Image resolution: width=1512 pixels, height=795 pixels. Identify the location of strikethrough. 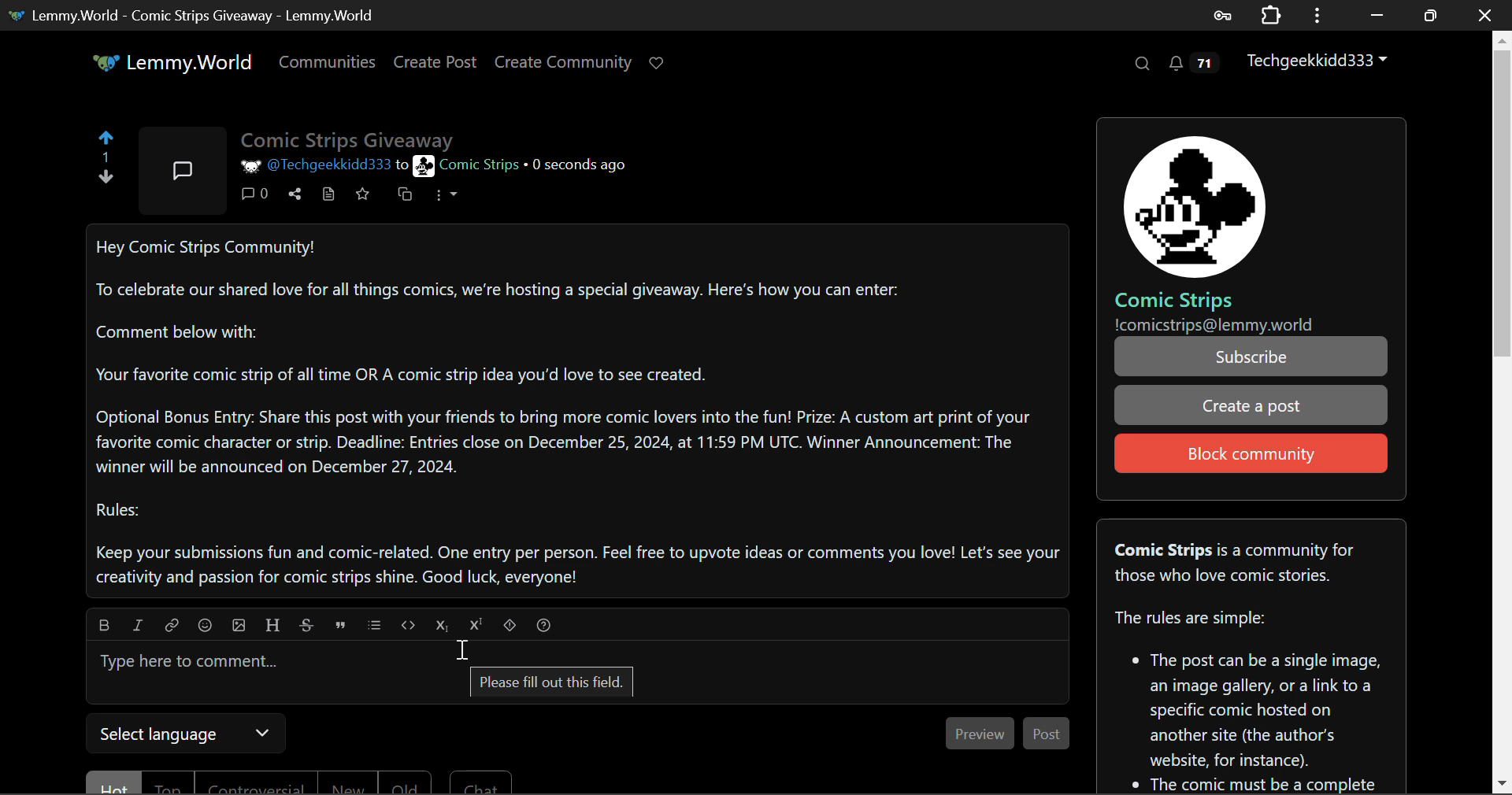
(308, 623).